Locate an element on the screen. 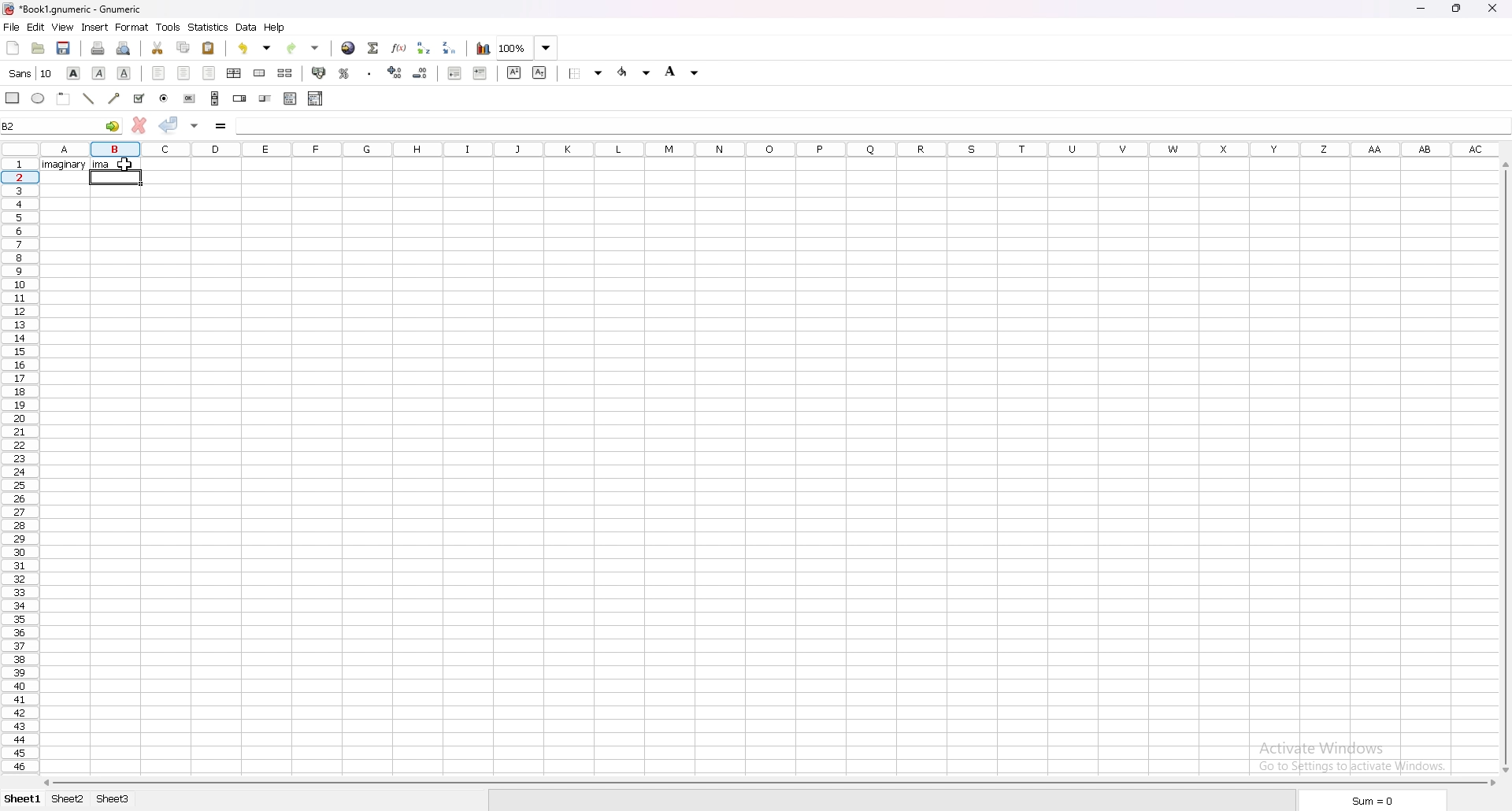  sort ascending is located at coordinates (424, 48).